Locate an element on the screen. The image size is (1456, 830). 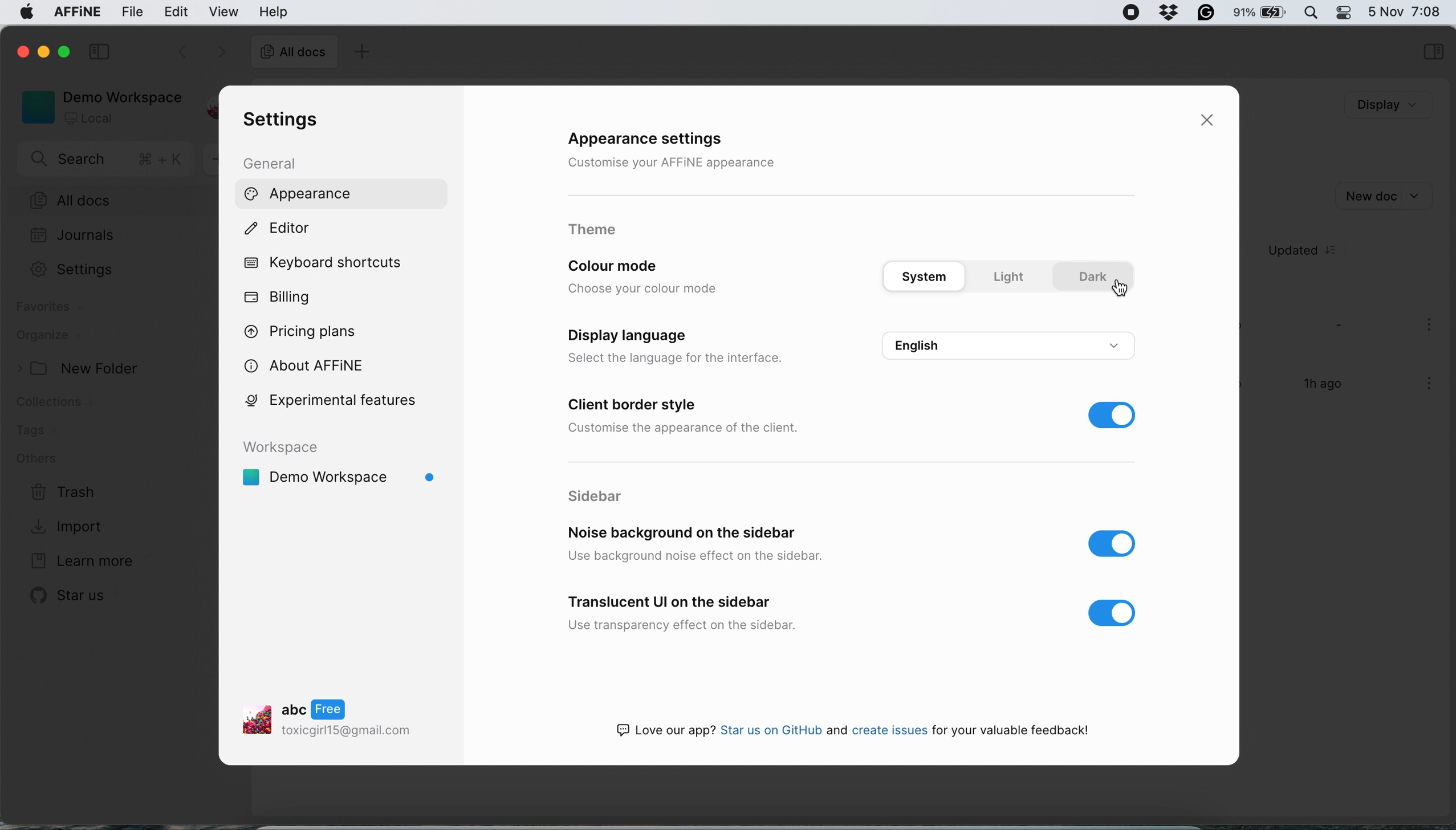
display is located at coordinates (1384, 104).